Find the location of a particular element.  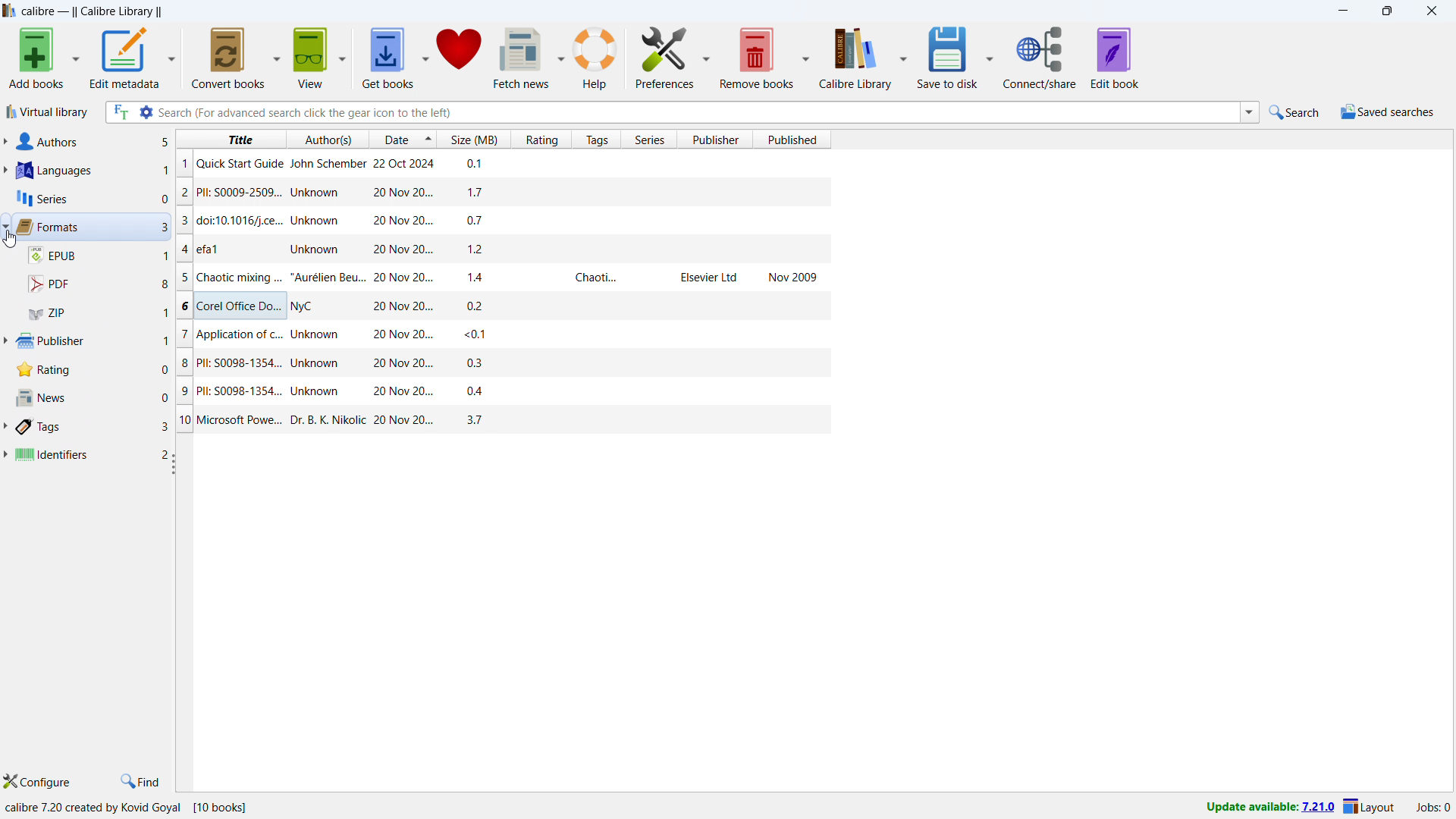

one book entry is located at coordinates (500, 165).